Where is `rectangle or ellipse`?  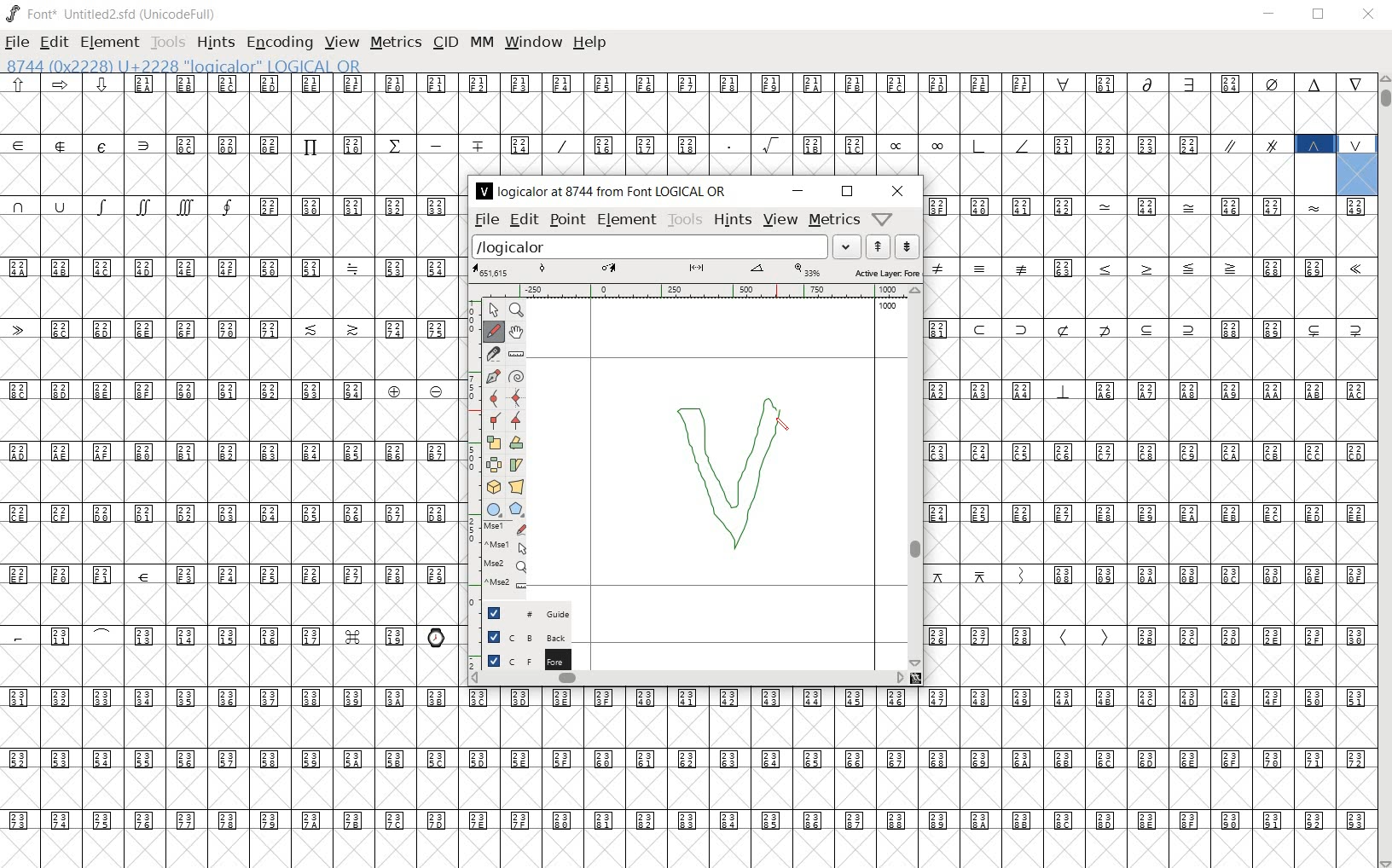 rectangle or ellipse is located at coordinates (496, 510).